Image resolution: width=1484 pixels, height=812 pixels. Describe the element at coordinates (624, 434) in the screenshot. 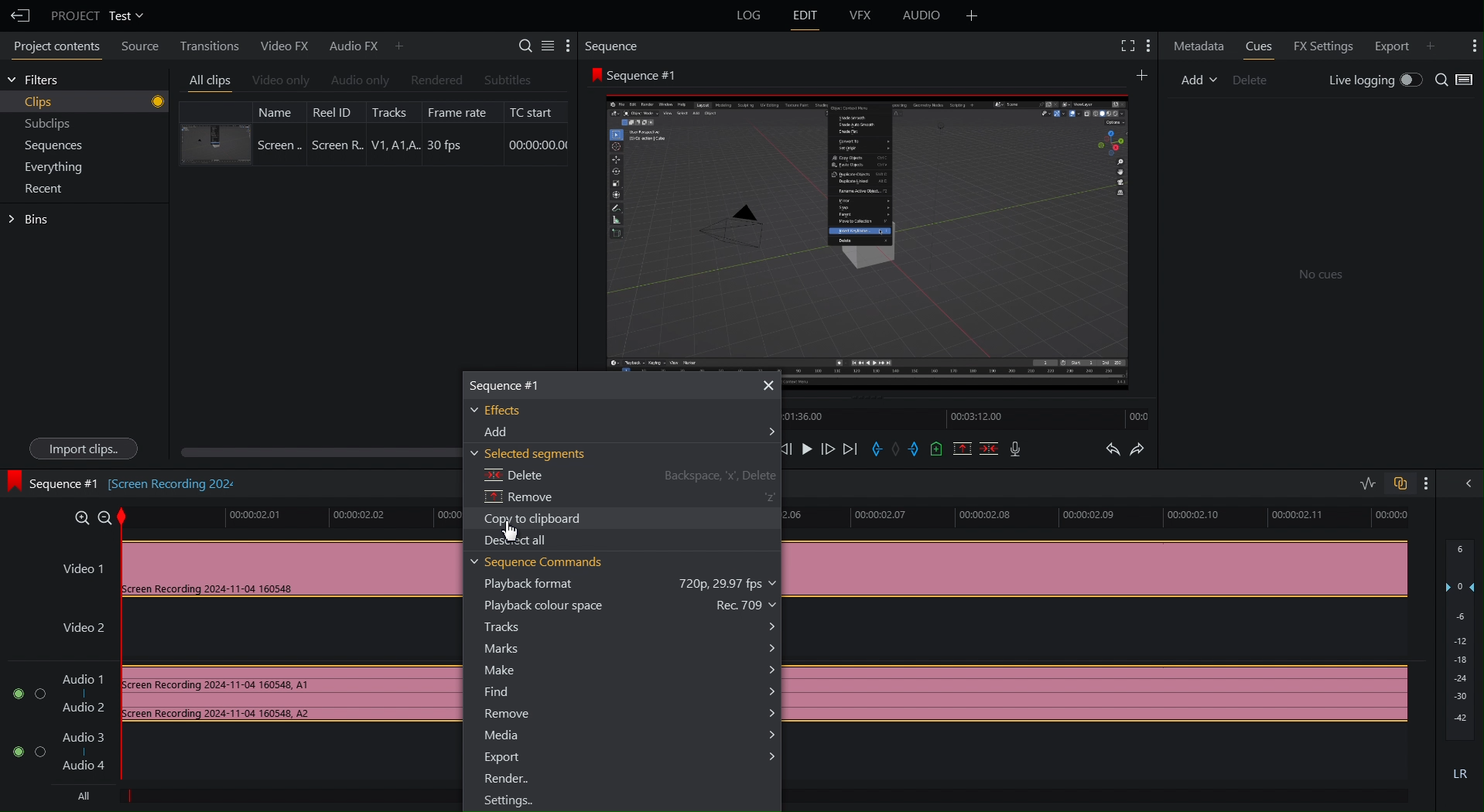

I see `Add` at that location.